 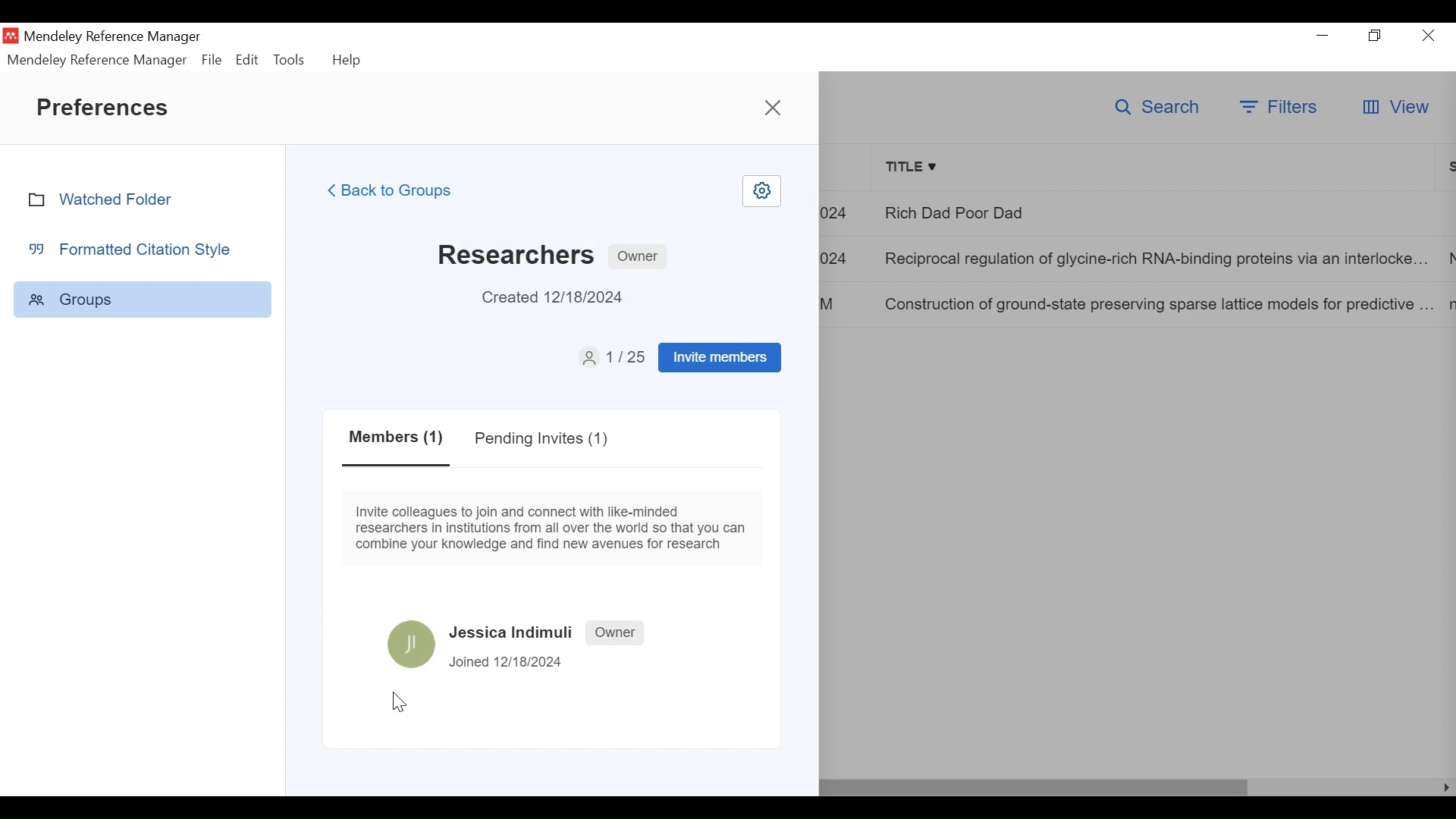 What do you see at coordinates (349, 60) in the screenshot?
I see `Help` at bounding box center [349, 60].